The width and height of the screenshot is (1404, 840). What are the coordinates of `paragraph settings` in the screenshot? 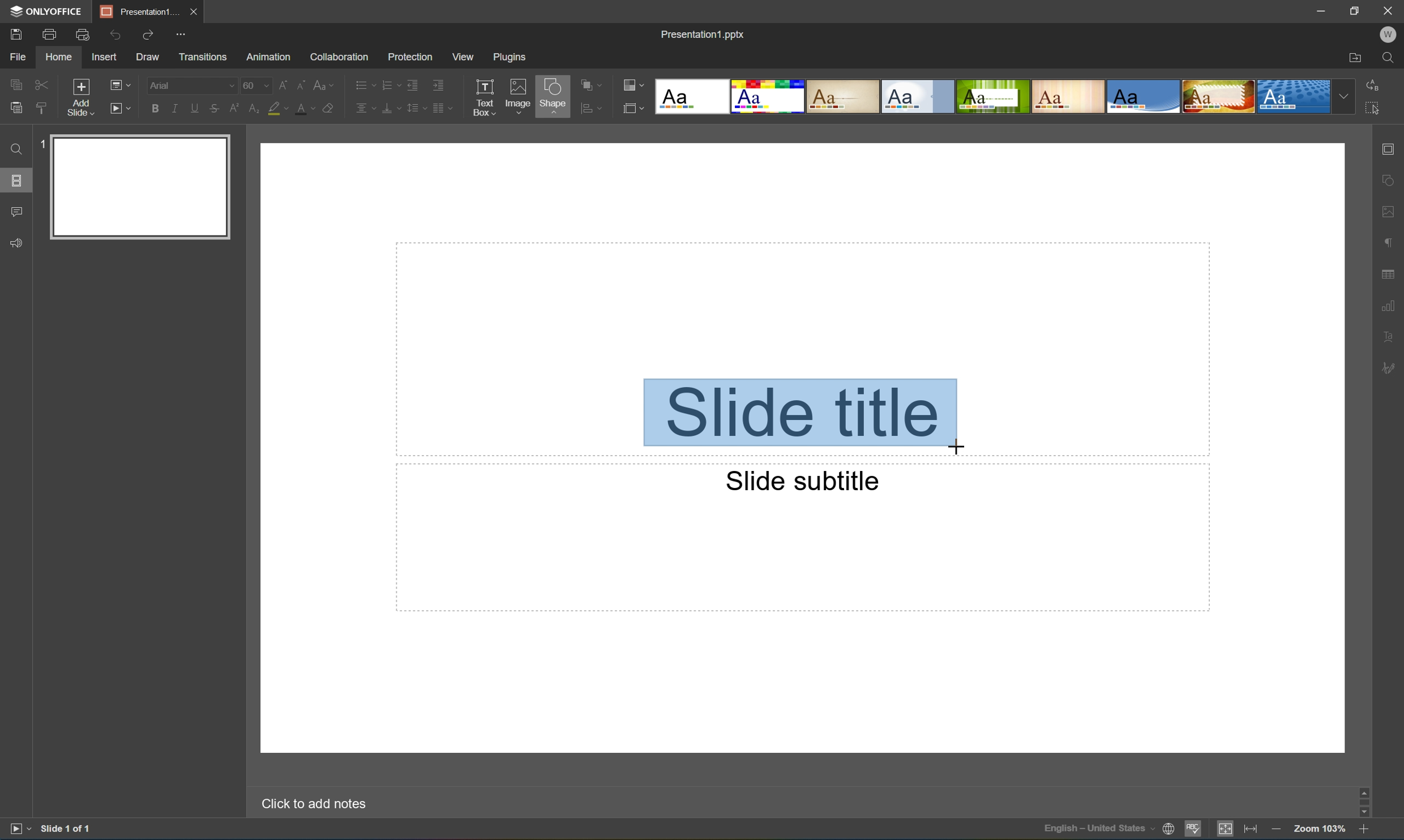 It's located at (1389, 242).